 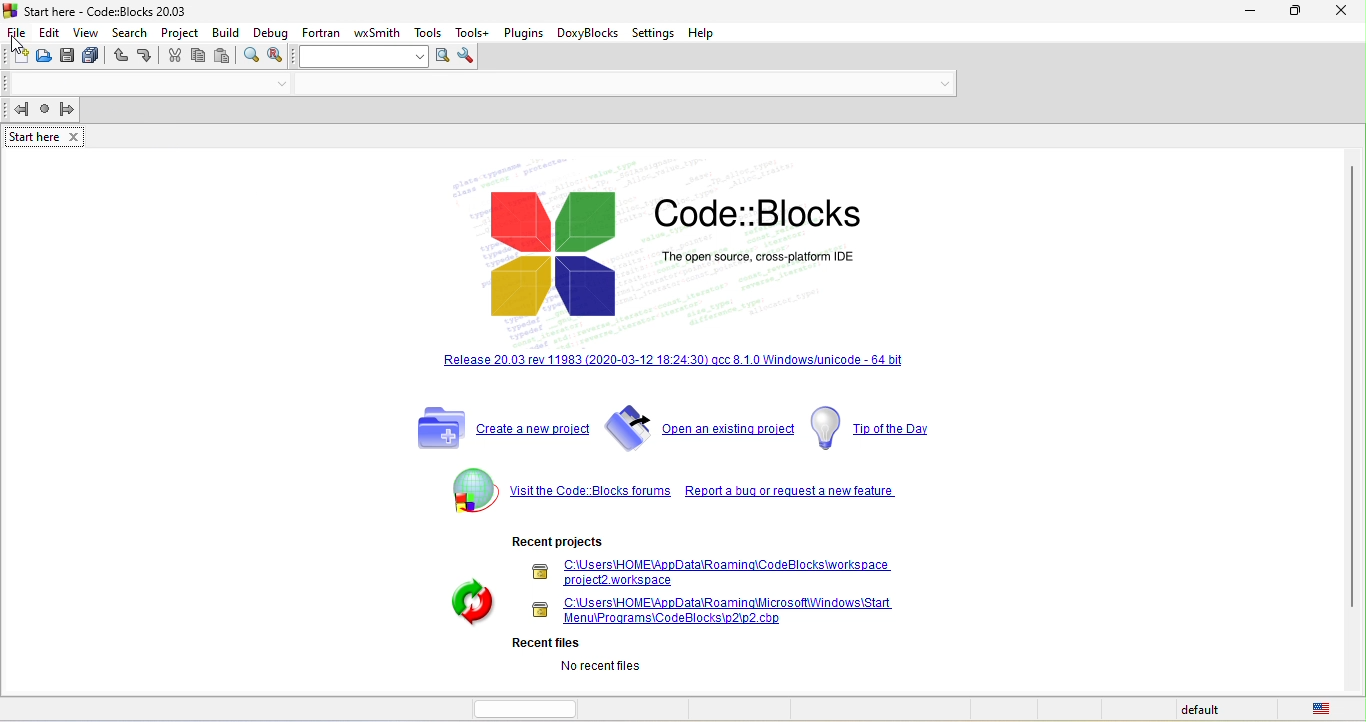 What do you see at coordinates (469, 57) in the screenshot?
I see `show option window` at bounding box center [469, 57].